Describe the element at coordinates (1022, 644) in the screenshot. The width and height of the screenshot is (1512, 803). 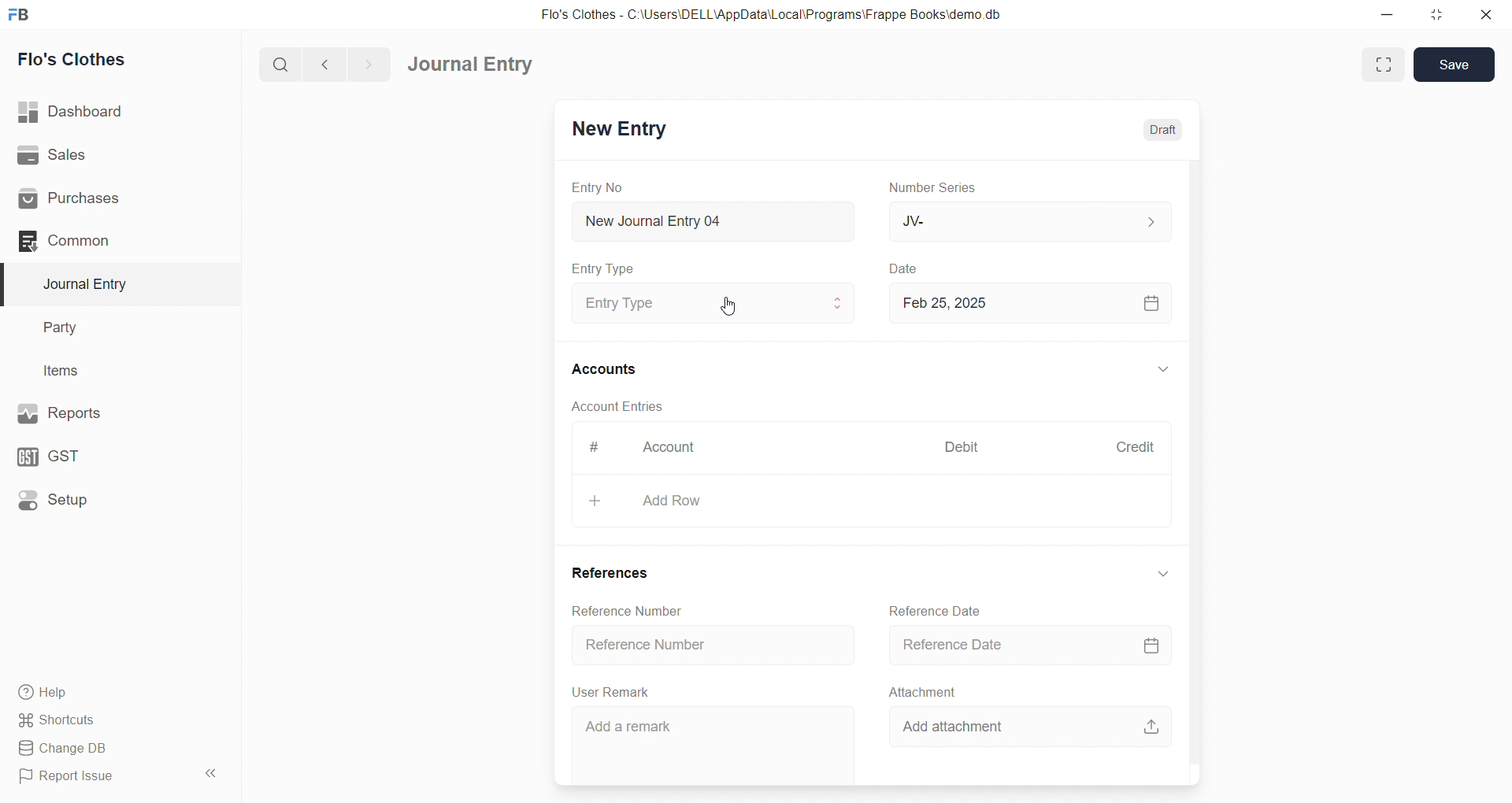
I see `Reference Date` at that location.